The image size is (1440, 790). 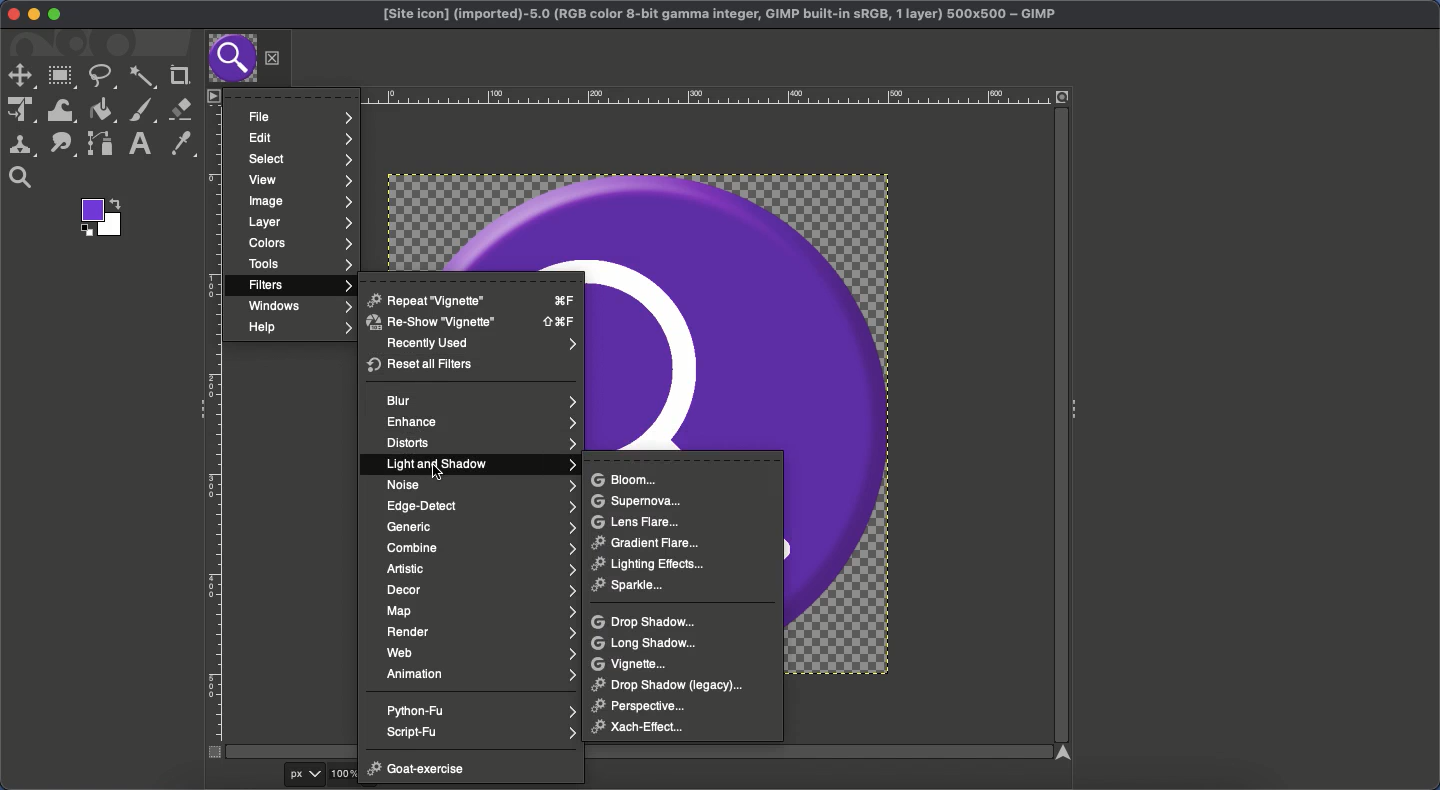 What do you see at coordinates (101, 143) in the screenshot?
I see `Path` at bounding box center [101, 143].